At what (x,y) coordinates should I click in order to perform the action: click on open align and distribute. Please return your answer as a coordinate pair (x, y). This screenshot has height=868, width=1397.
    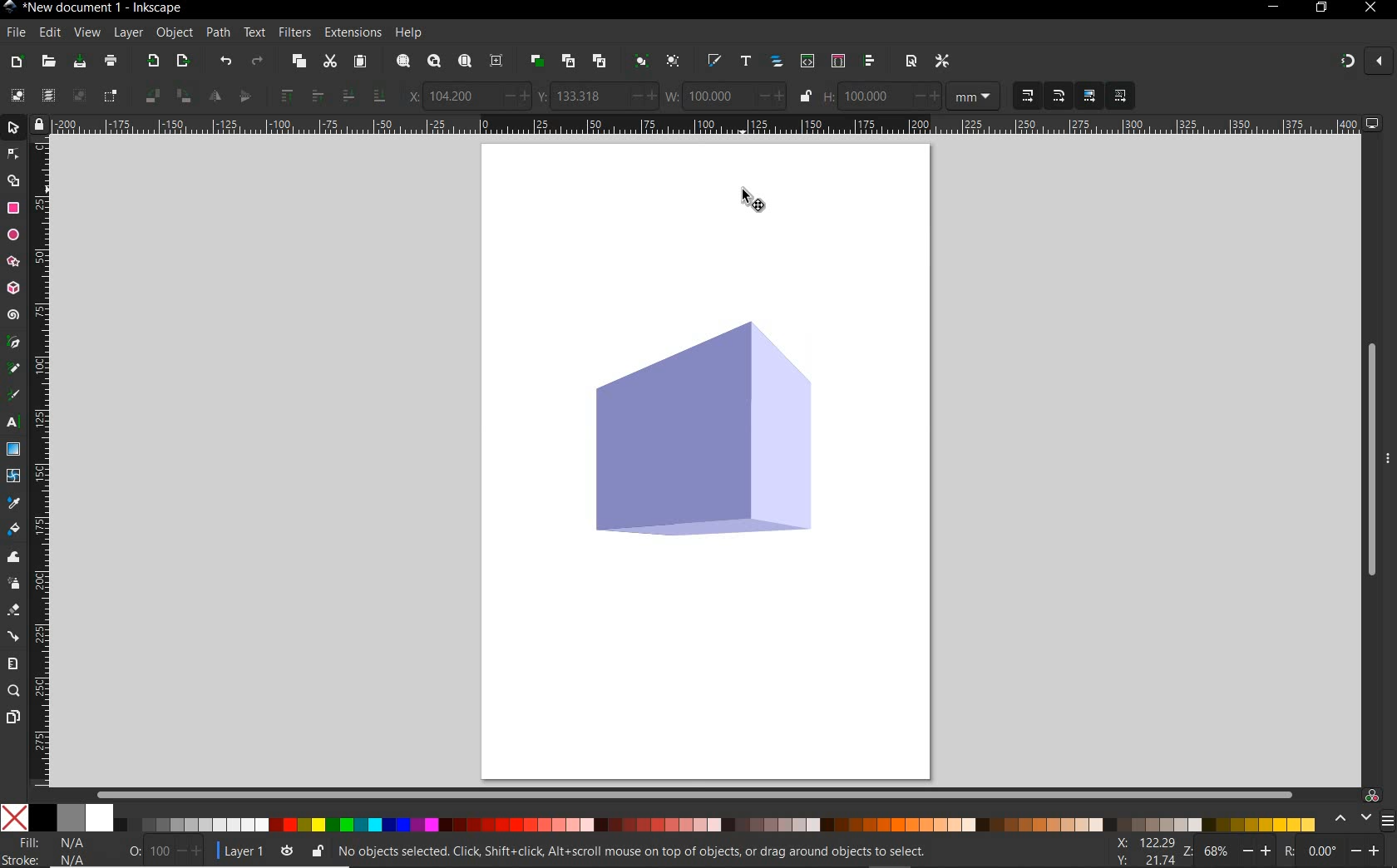
    Looking at the image, I should click on (870, 61).